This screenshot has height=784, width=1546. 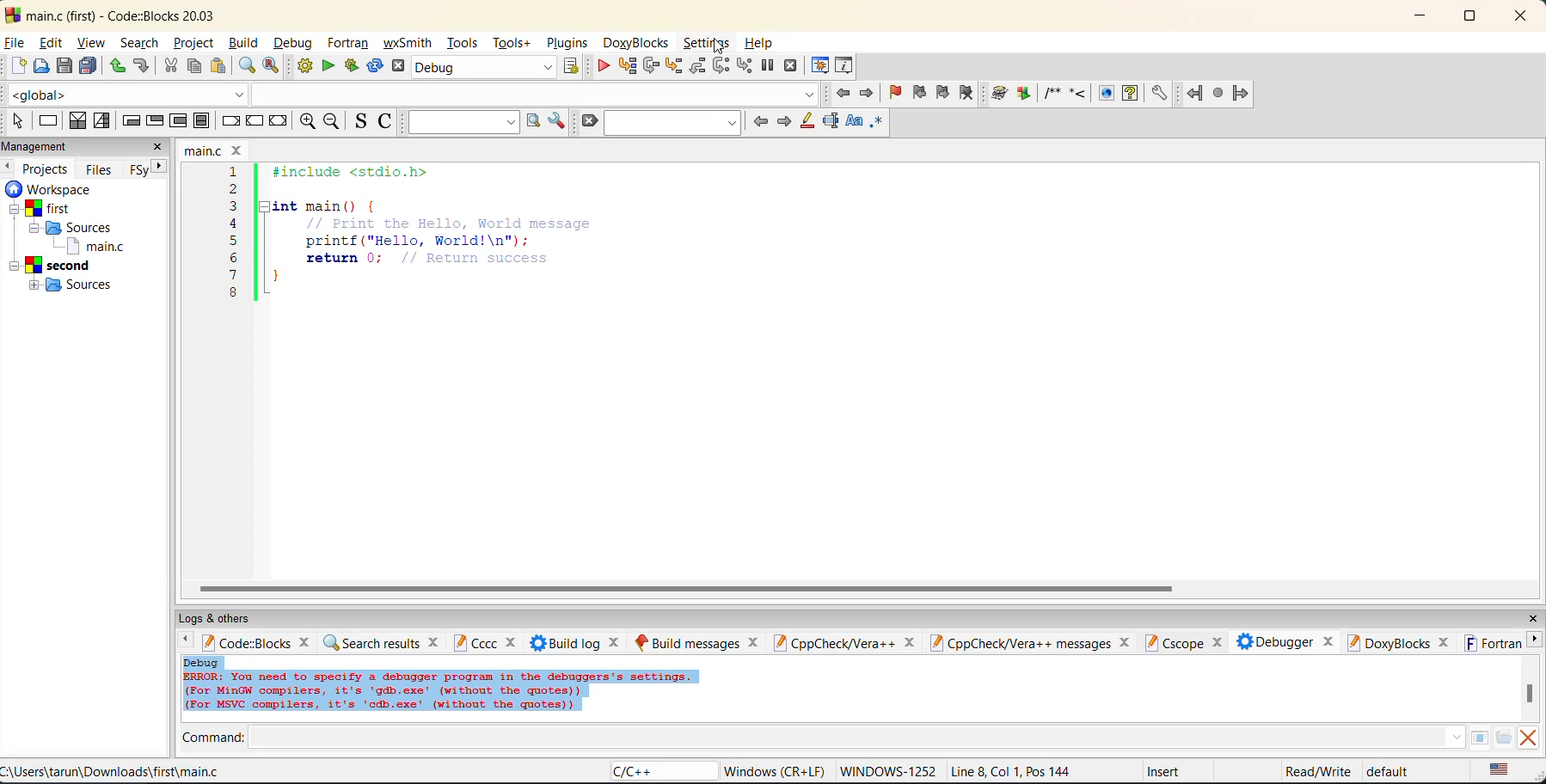 What do you see at coordinates (244, 65) in the screenshot?
I see `find` at bounding box center [244, 65].